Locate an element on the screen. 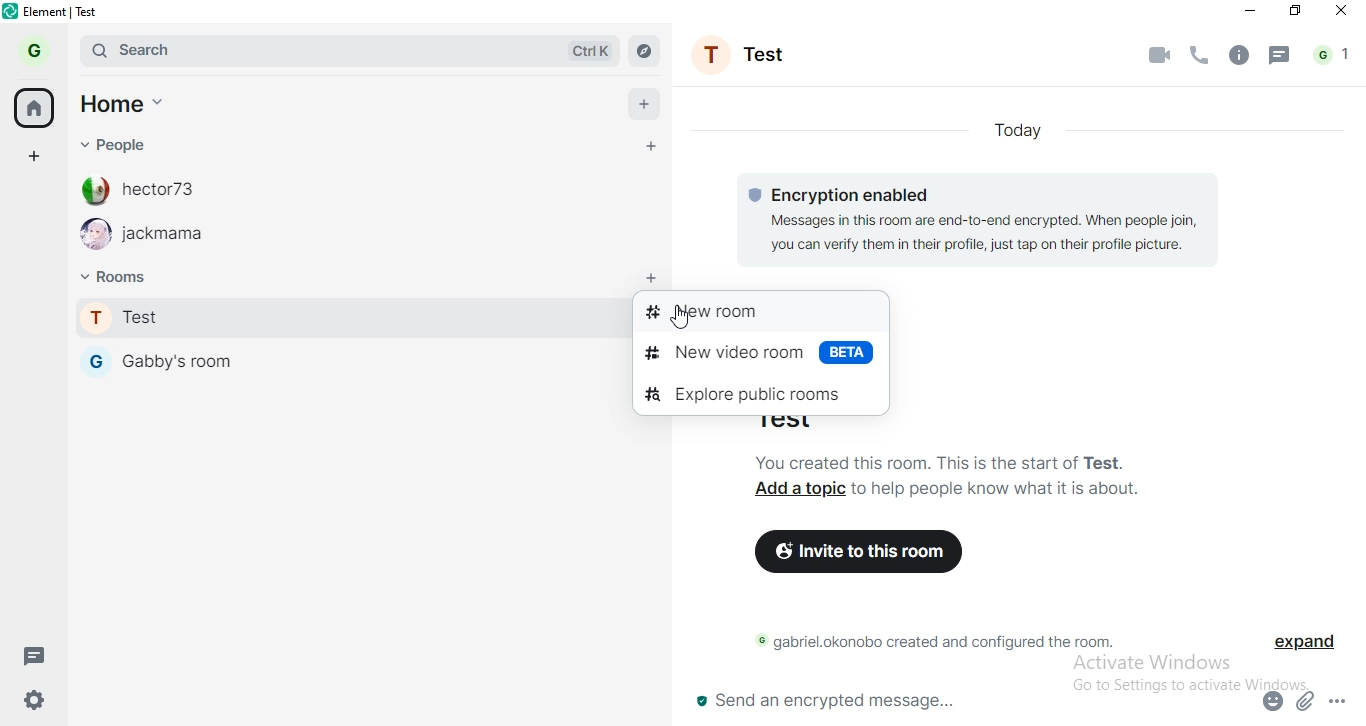  You created this room. This is the start of Test.
Add a topic to help people know what it is about. is located at coordinates (937, 473).